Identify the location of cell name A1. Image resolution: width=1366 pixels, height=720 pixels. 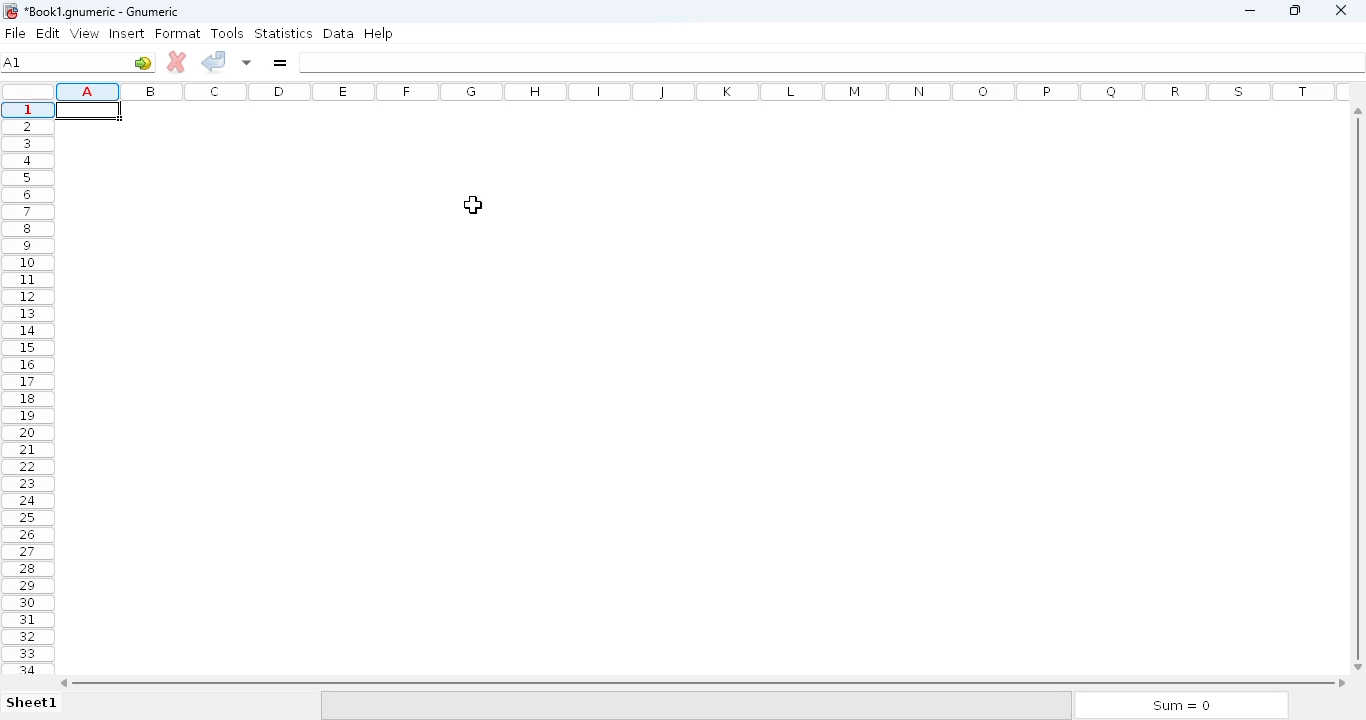
(13, 62).